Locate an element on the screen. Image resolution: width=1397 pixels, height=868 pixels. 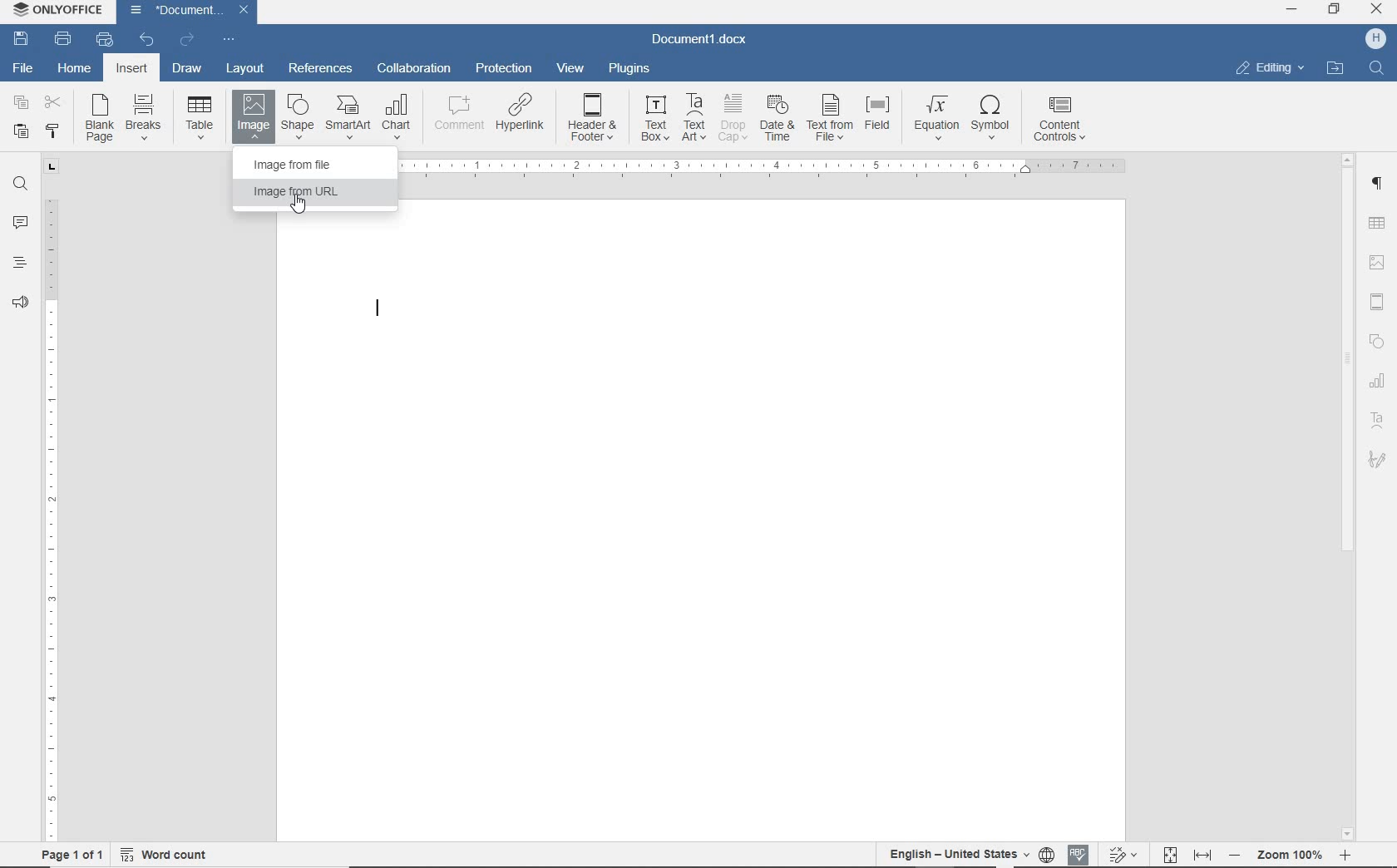
content controls is located at coordinates (1064, 121).